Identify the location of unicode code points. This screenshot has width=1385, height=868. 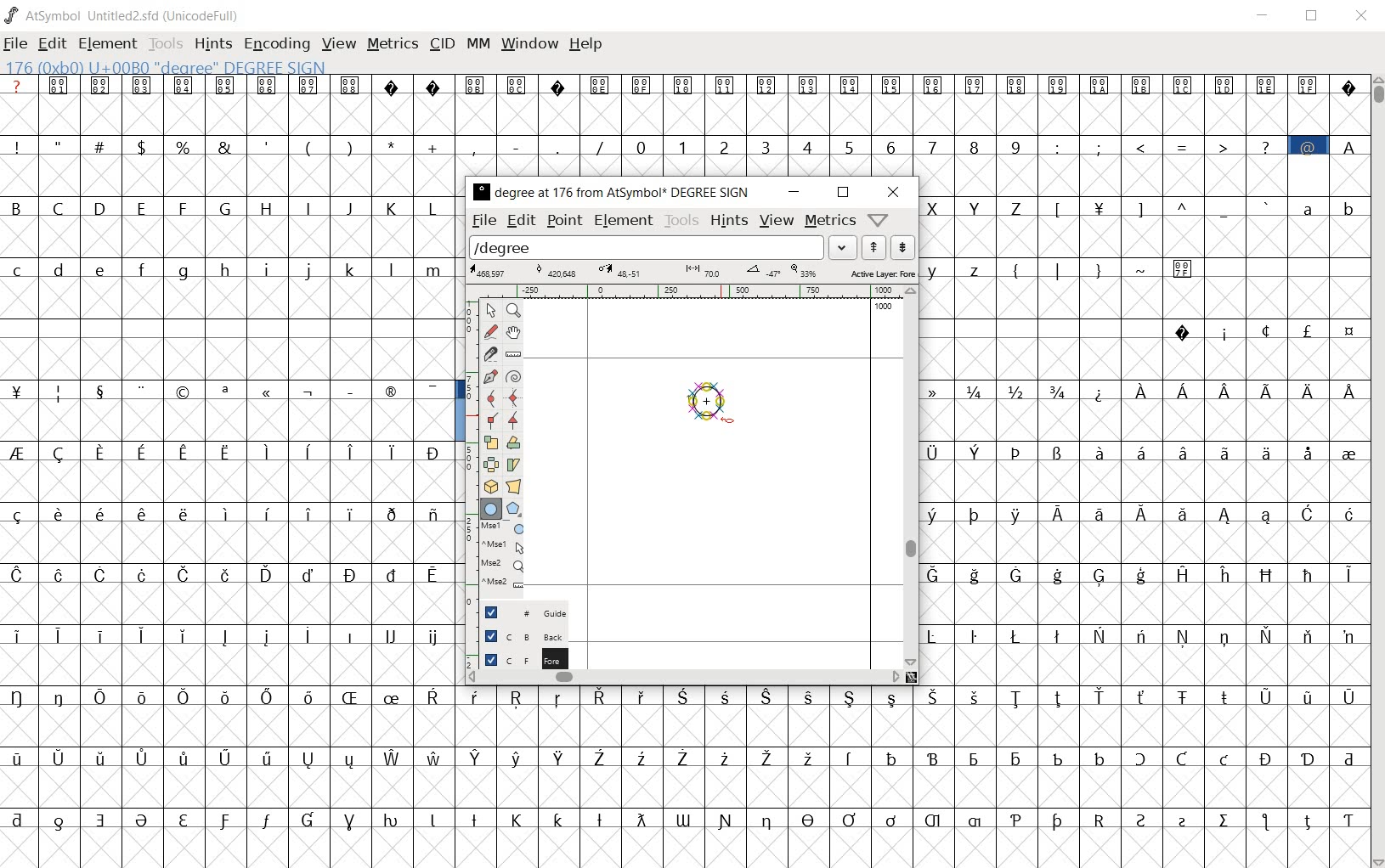
(499, 84).